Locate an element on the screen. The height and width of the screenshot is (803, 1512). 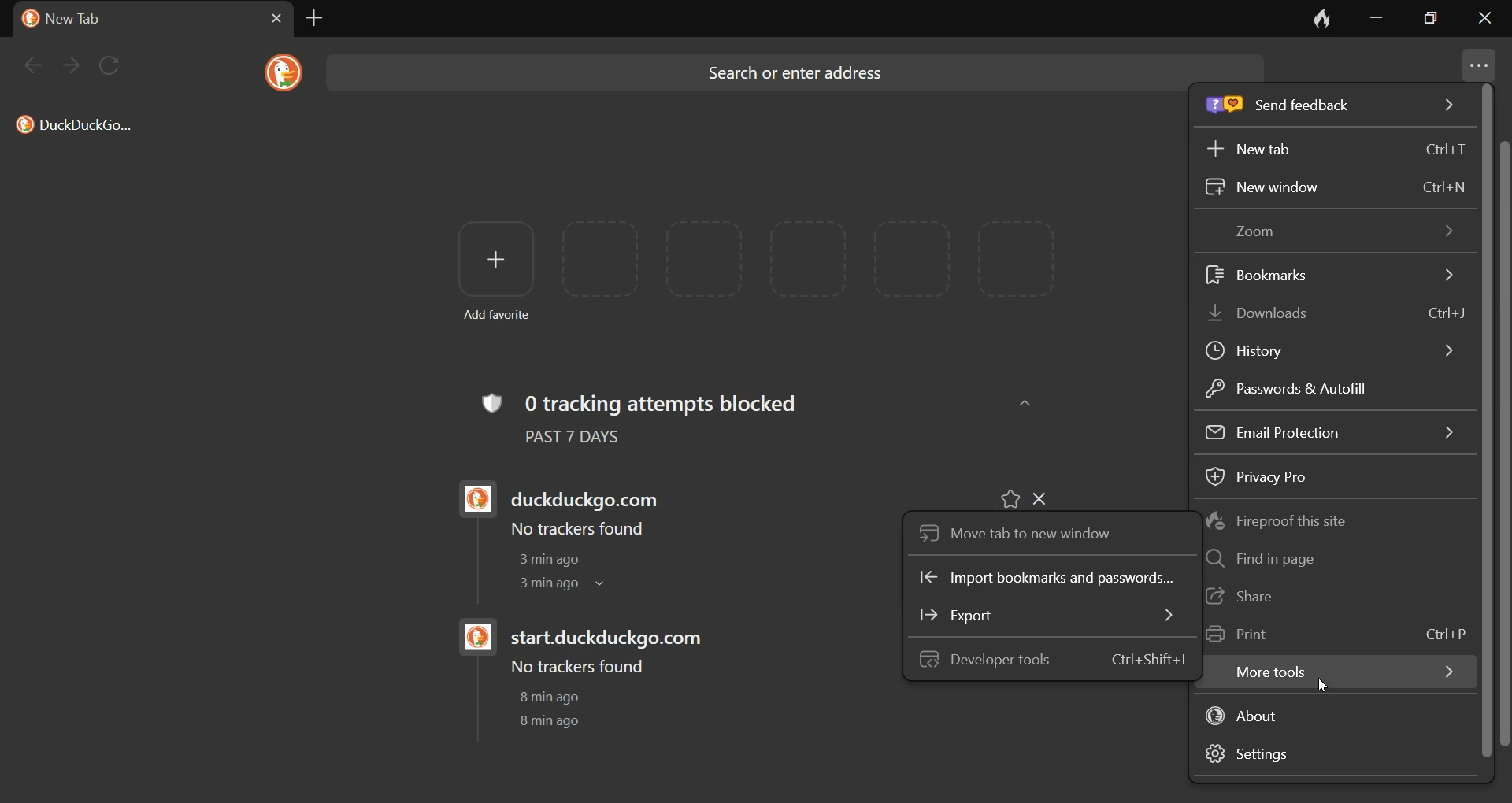
up is located at coordinates (1028, 402).